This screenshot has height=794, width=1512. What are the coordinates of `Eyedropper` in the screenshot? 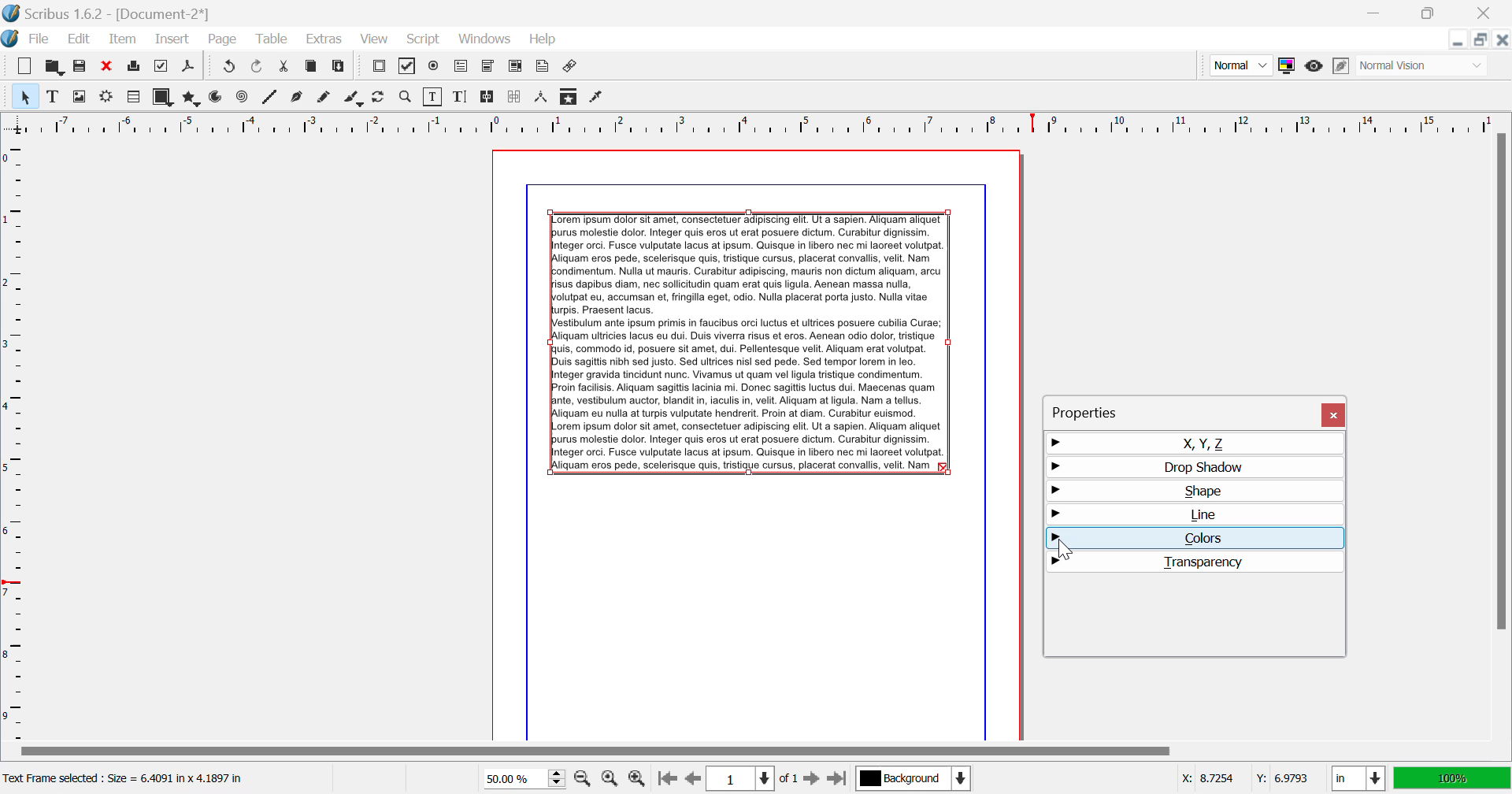 It's located at (597, 98).